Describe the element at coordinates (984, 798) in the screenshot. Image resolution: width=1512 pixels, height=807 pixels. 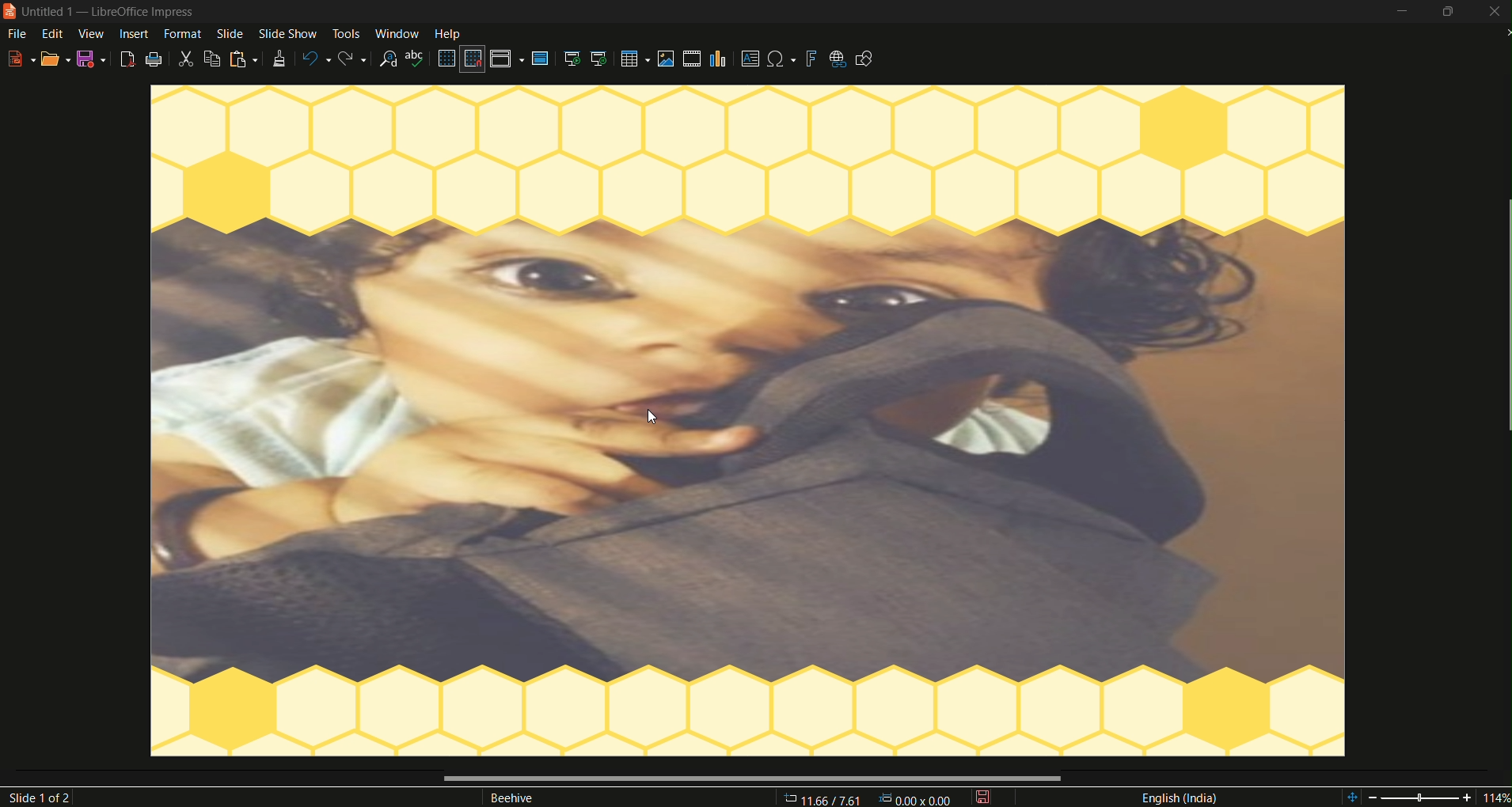
I see `save` at that location.